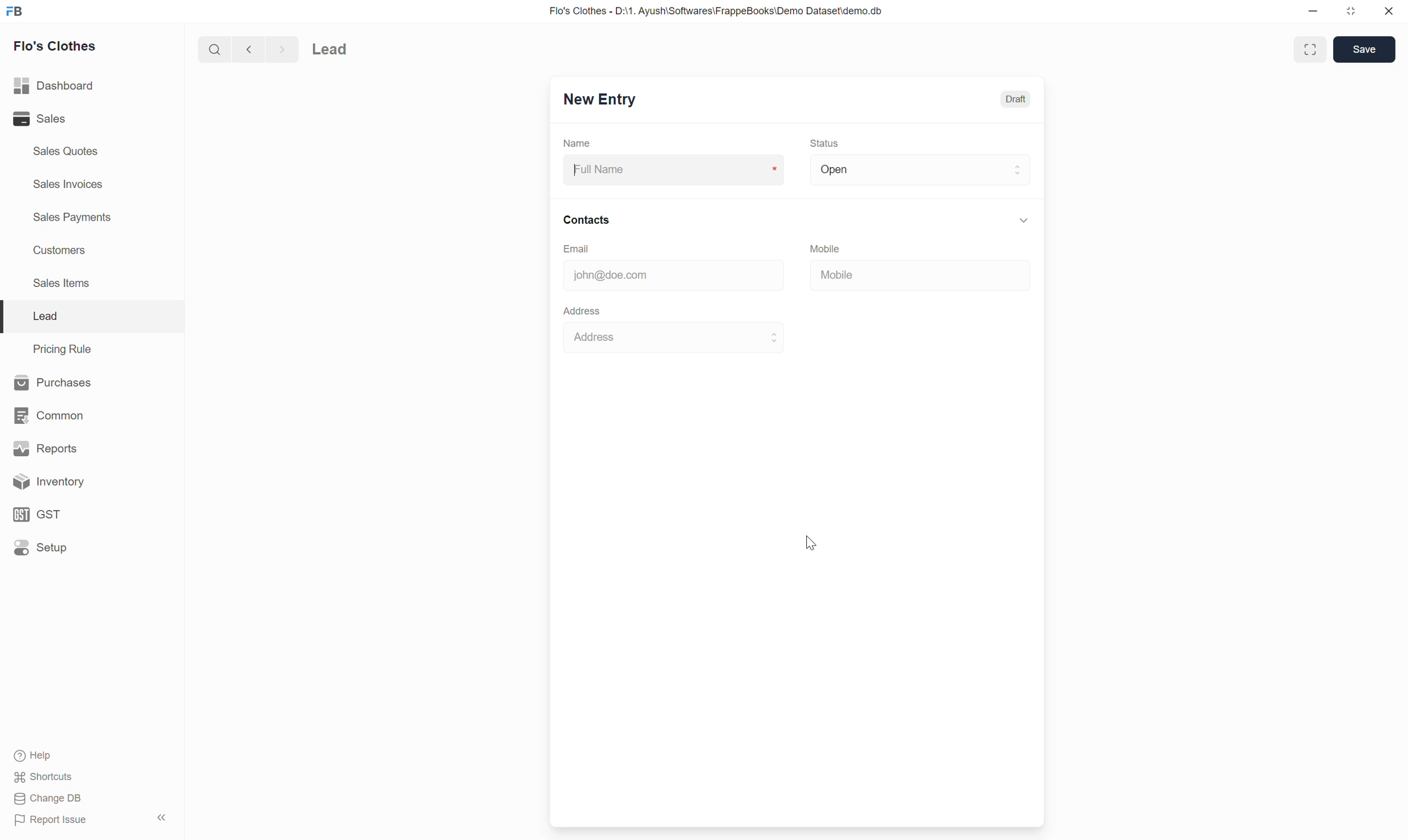  Describe the element at coordinates (1352, 10) in the screenshot. I see `close down` at that location.